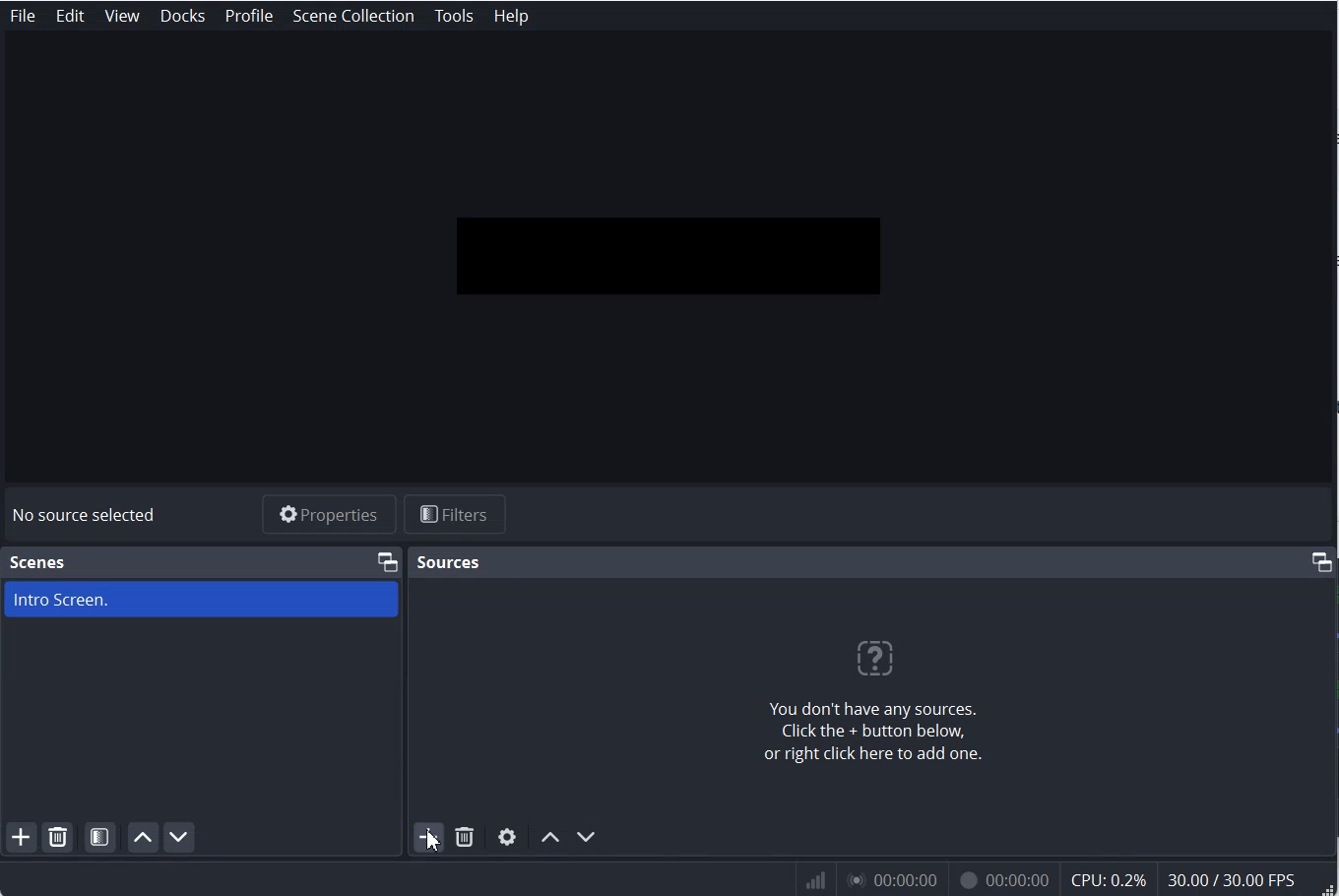  Describe the element at coordinates (201, 599) in the screenshot. I see `Intro Screen ` at that location.